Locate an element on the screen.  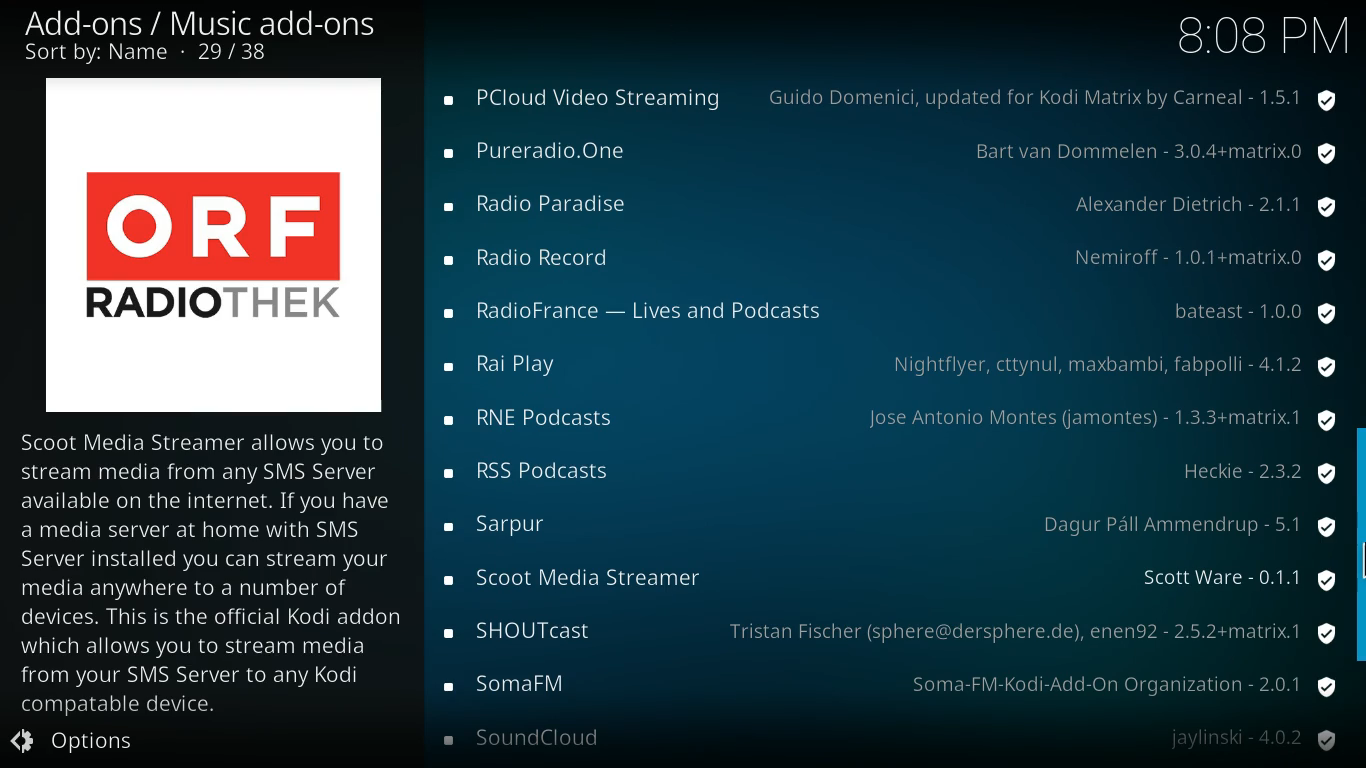
Options is located at coordinates (89, 742).